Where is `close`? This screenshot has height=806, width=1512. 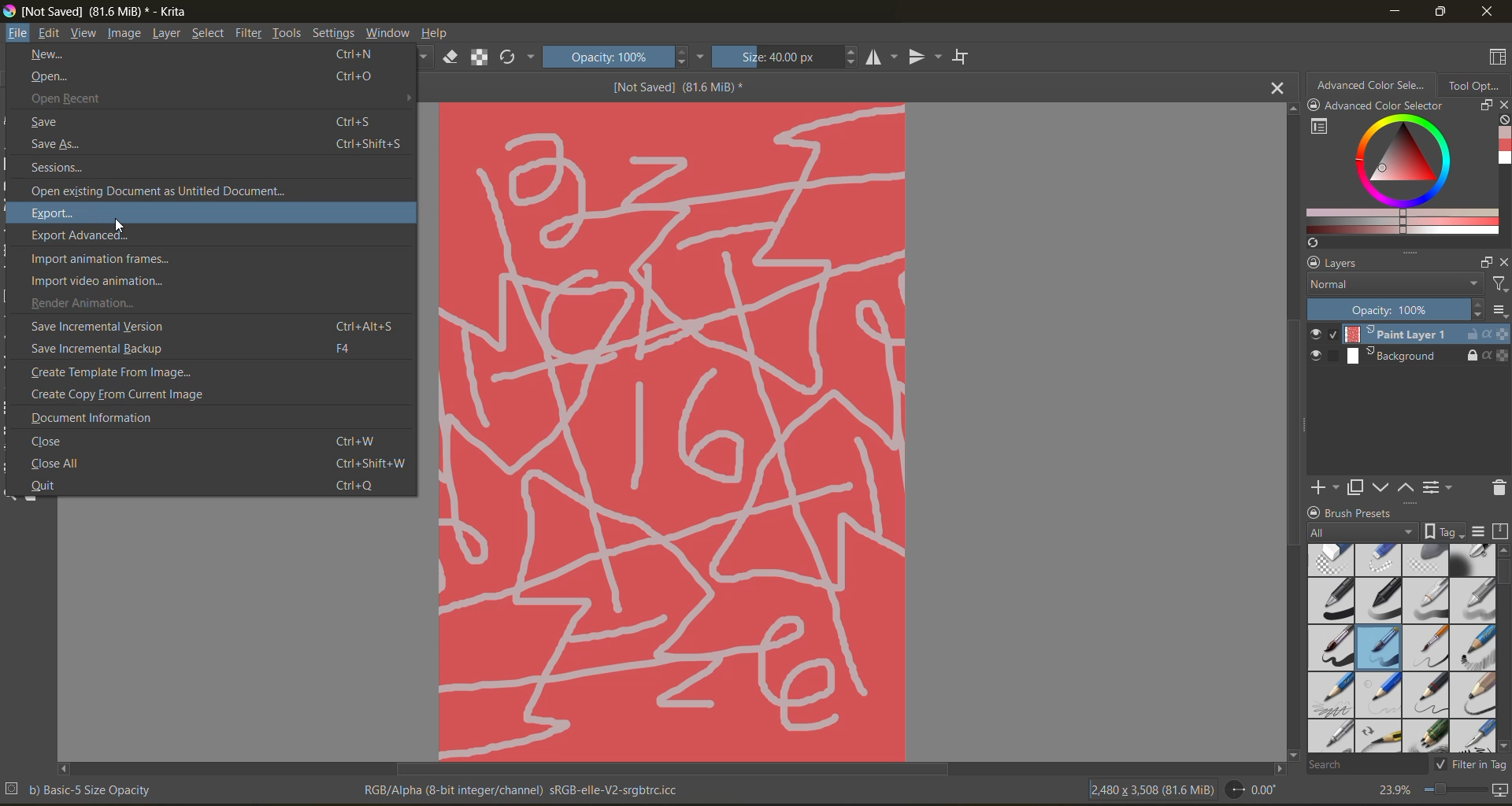
close is located at coordinates (1503, 106).